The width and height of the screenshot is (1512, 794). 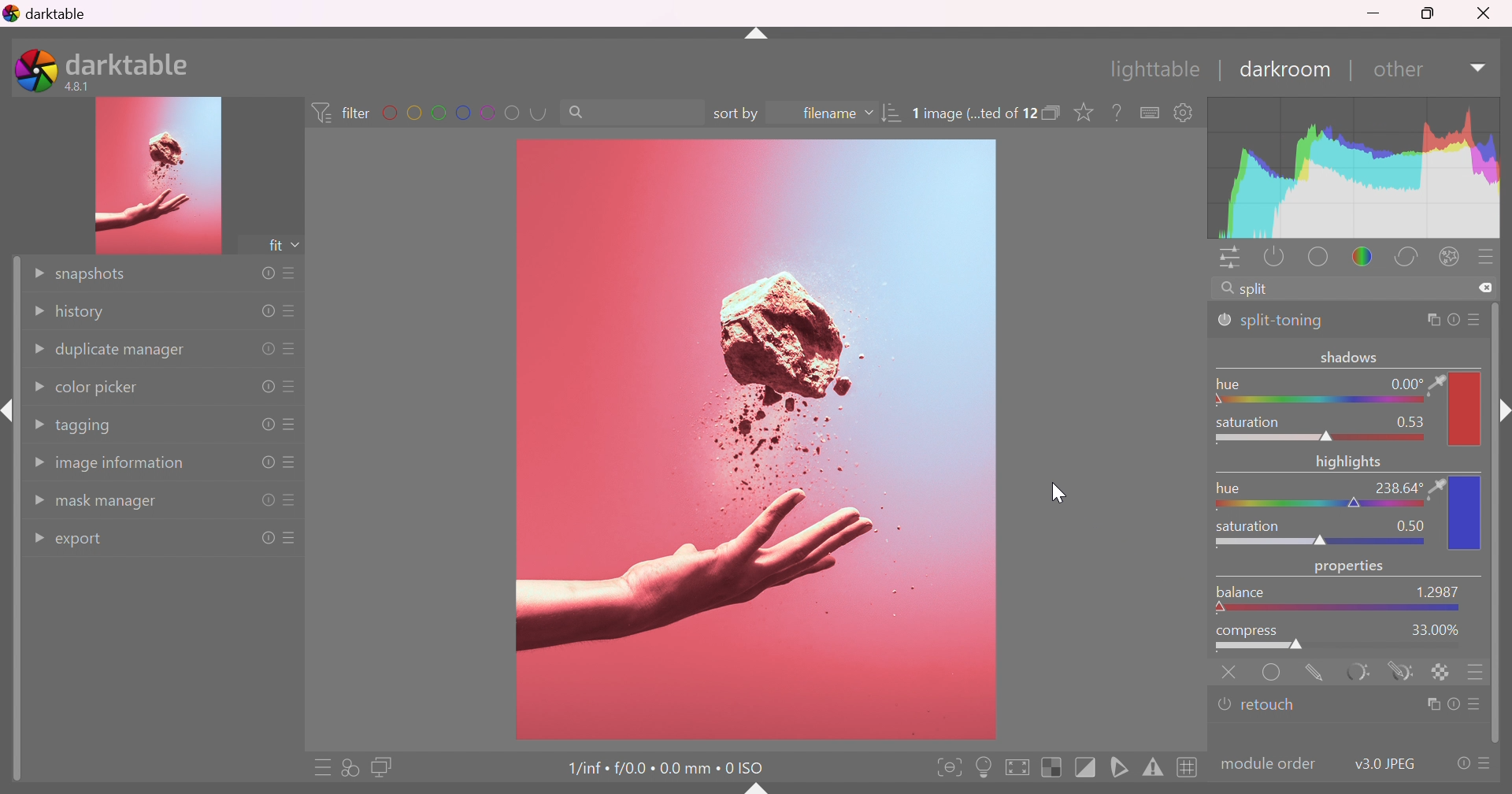 What do you see at coordinates (1434, 705) in the screenshot?
I see `multiple instance actions` at bounding box center [1434, 705].